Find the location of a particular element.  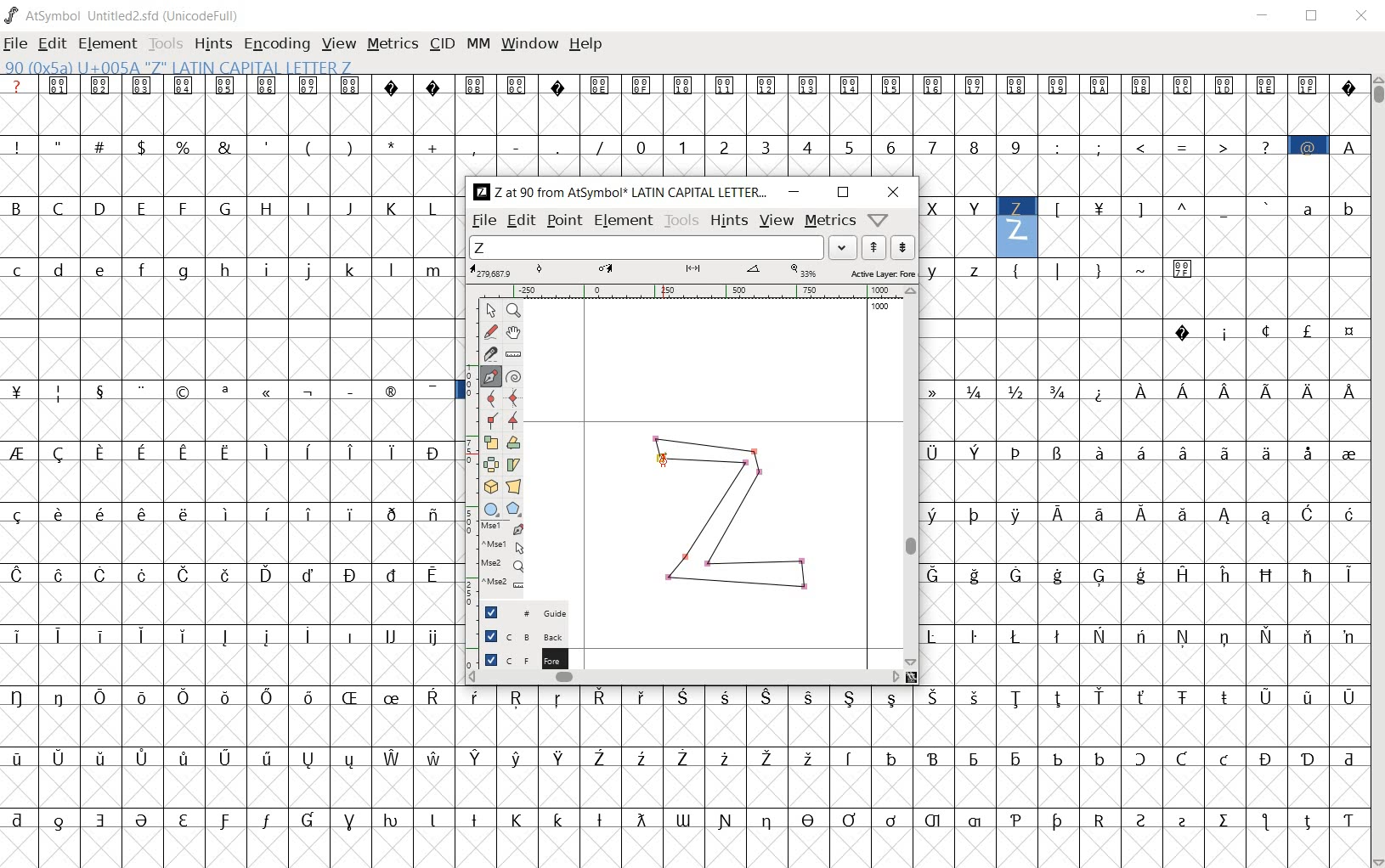

90(0x5a) U+005A "Z" LATIN CAPITAL LETTER Z is located at coordinates (178, 68).